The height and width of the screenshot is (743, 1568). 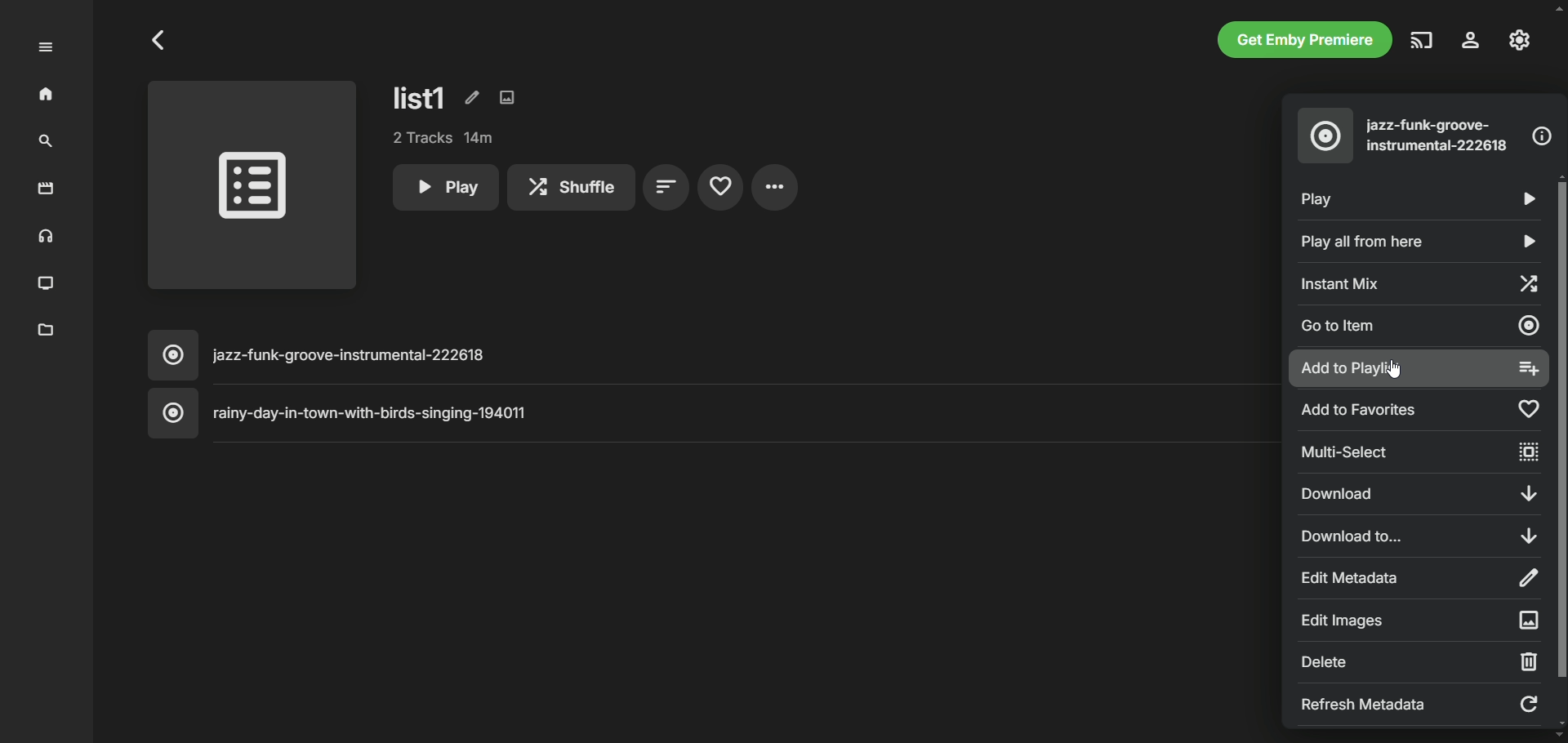 I want to click on multi-select, so click(x=1423, y=452).